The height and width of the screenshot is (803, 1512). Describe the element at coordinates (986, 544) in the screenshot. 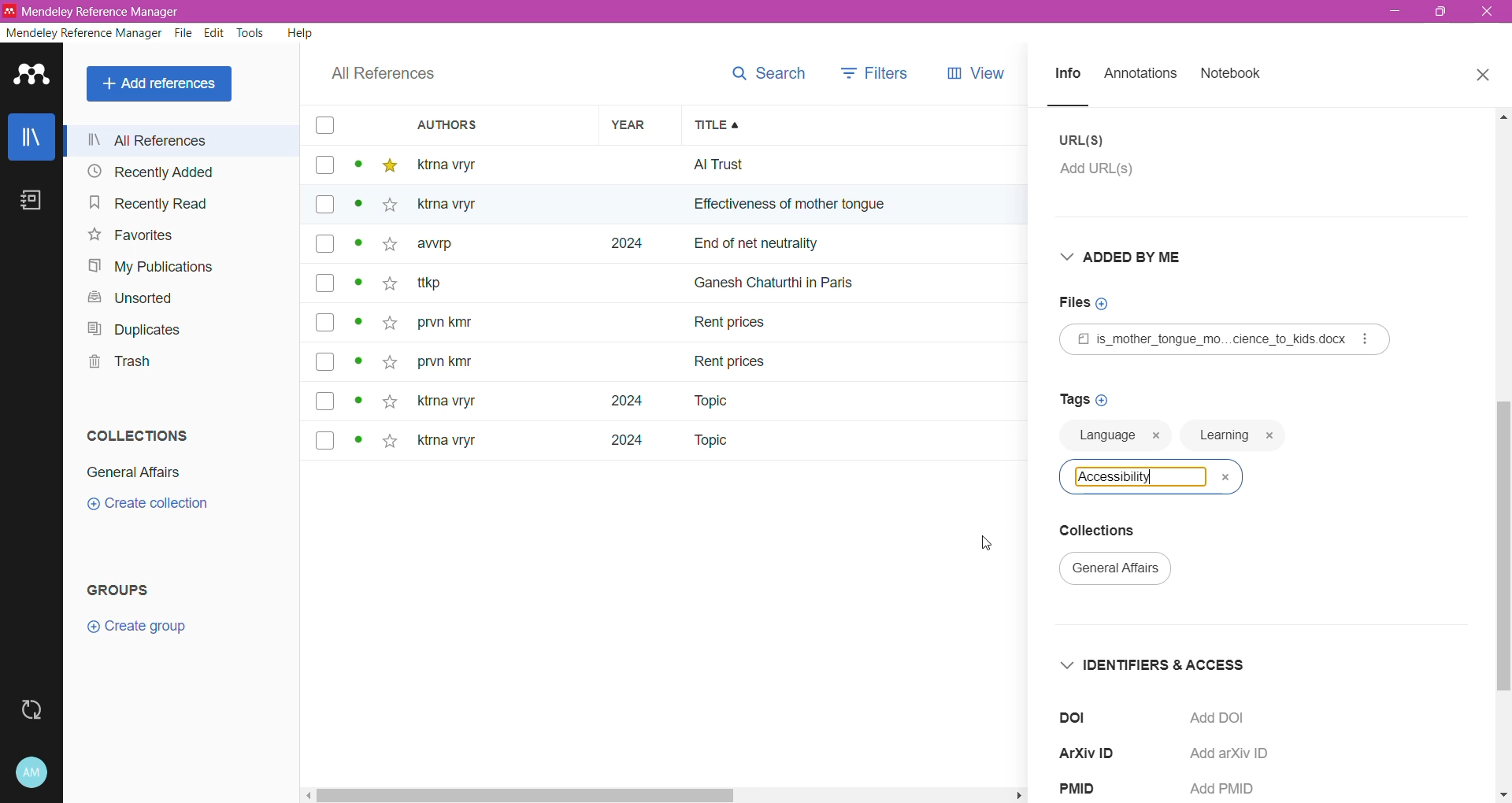

I see `Cursor` at that location.